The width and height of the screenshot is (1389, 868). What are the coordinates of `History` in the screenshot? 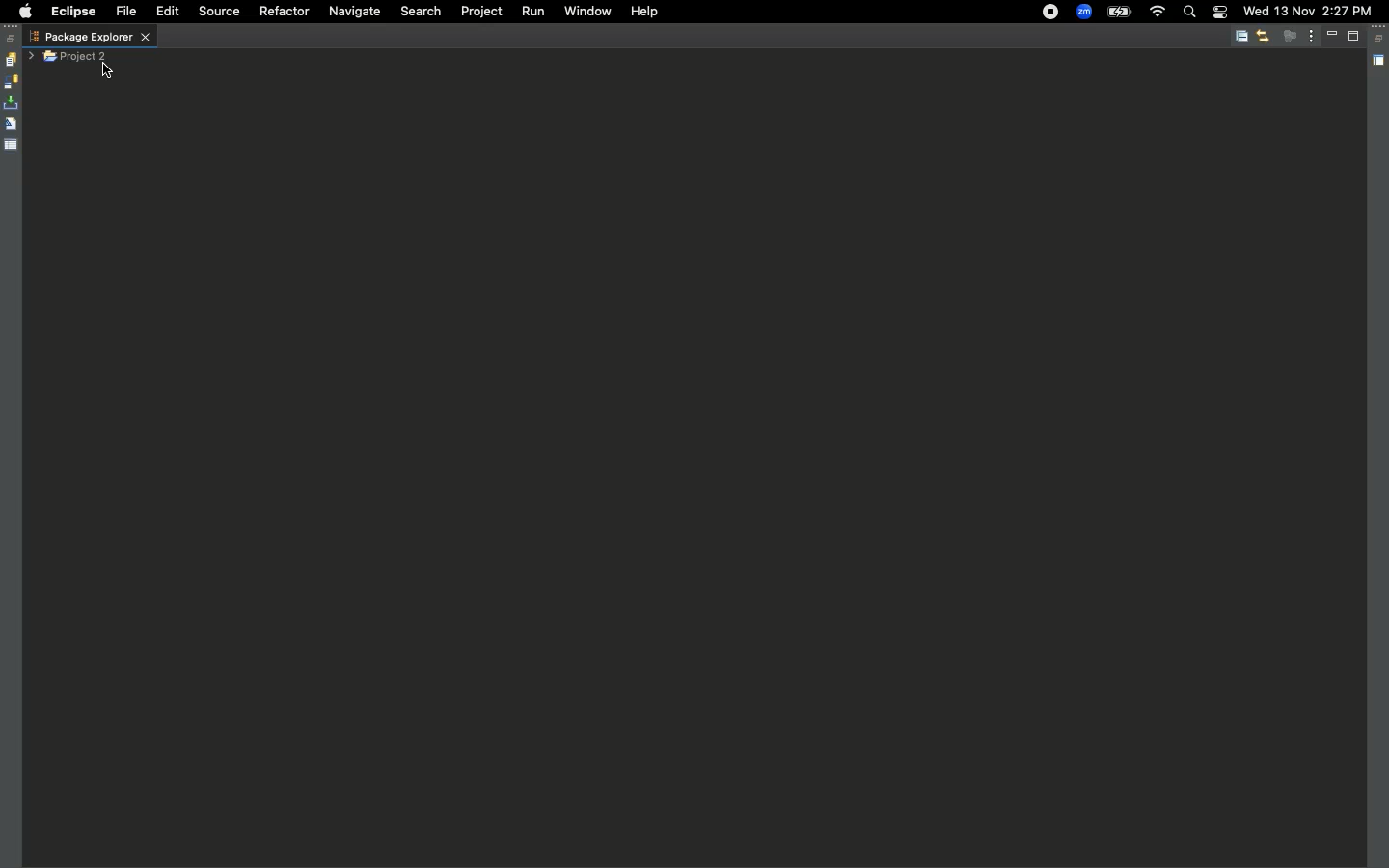 It's located at (10, 60).